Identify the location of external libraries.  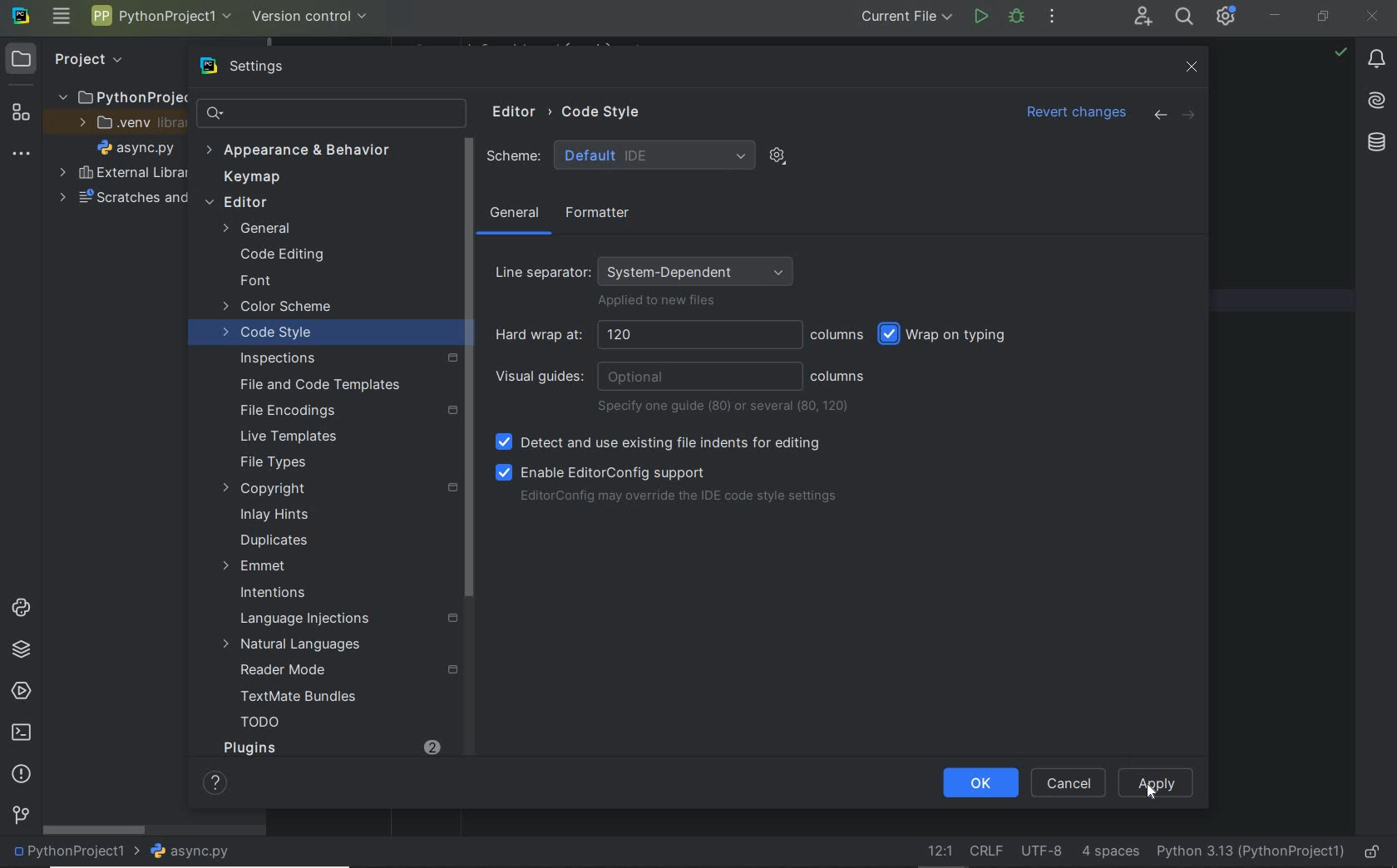
(122, 173).